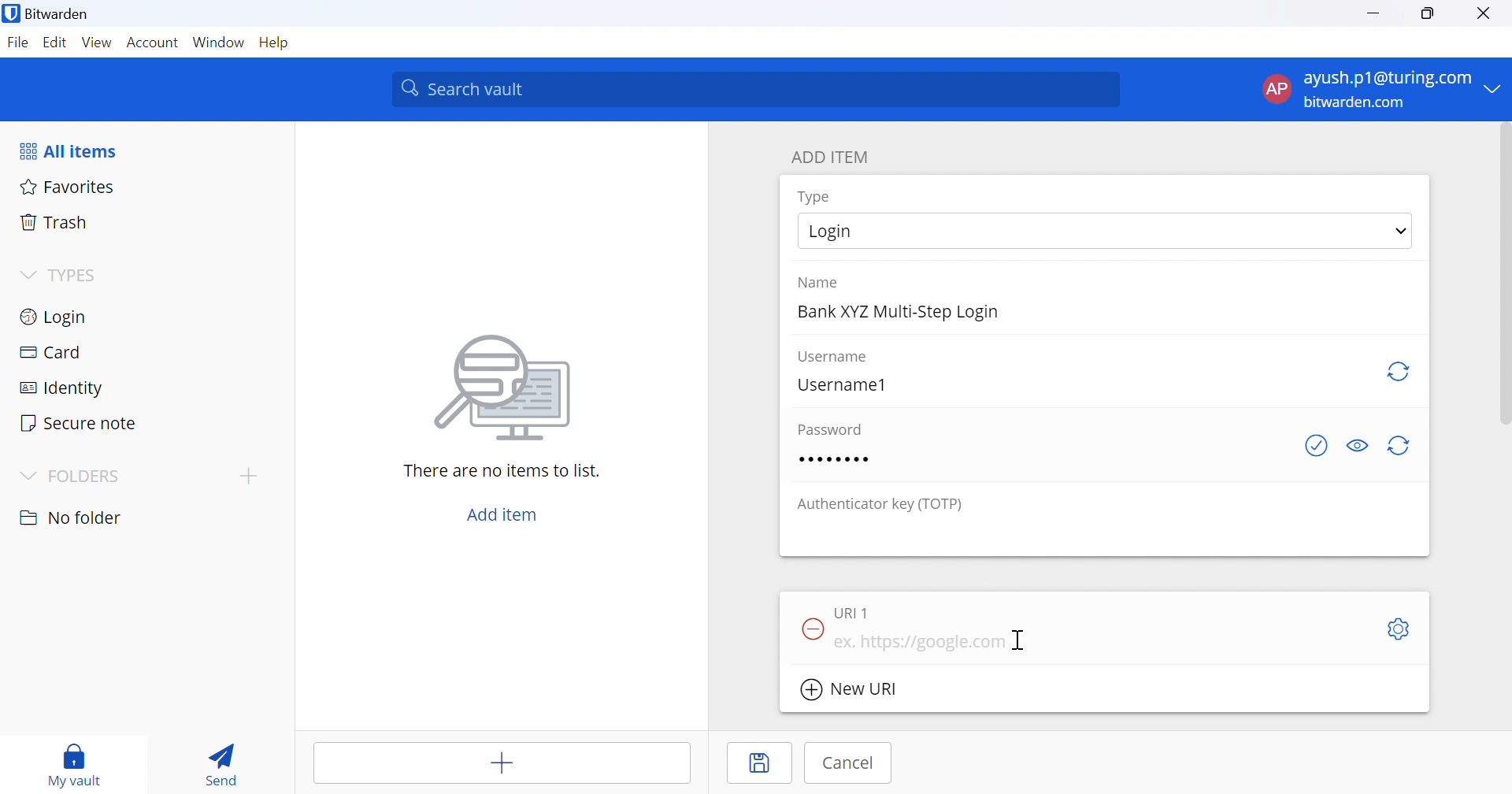 The image size is (1512, 794). I want to click on Cancel, so click(847, 763).